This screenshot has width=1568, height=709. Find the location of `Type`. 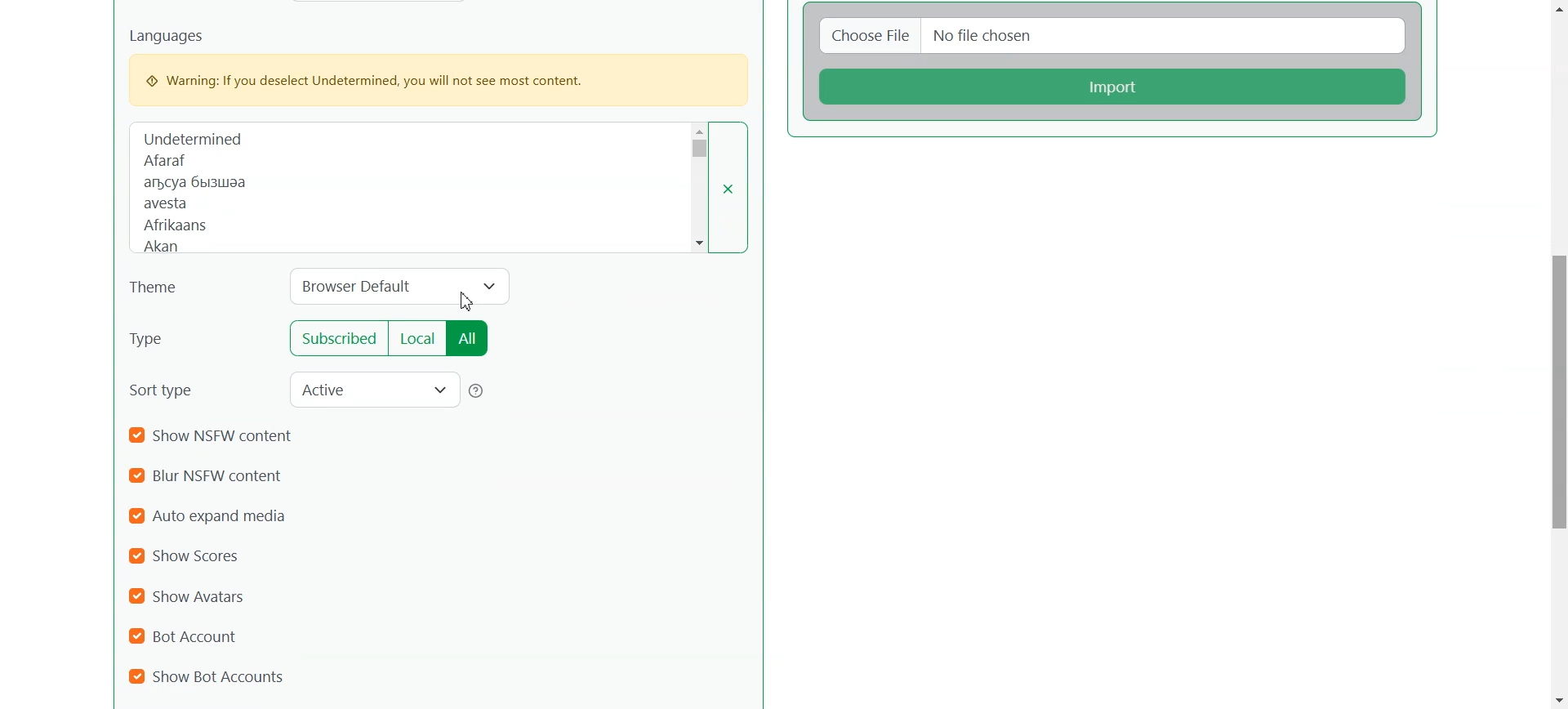

Type is located at coordinates (185, 338).